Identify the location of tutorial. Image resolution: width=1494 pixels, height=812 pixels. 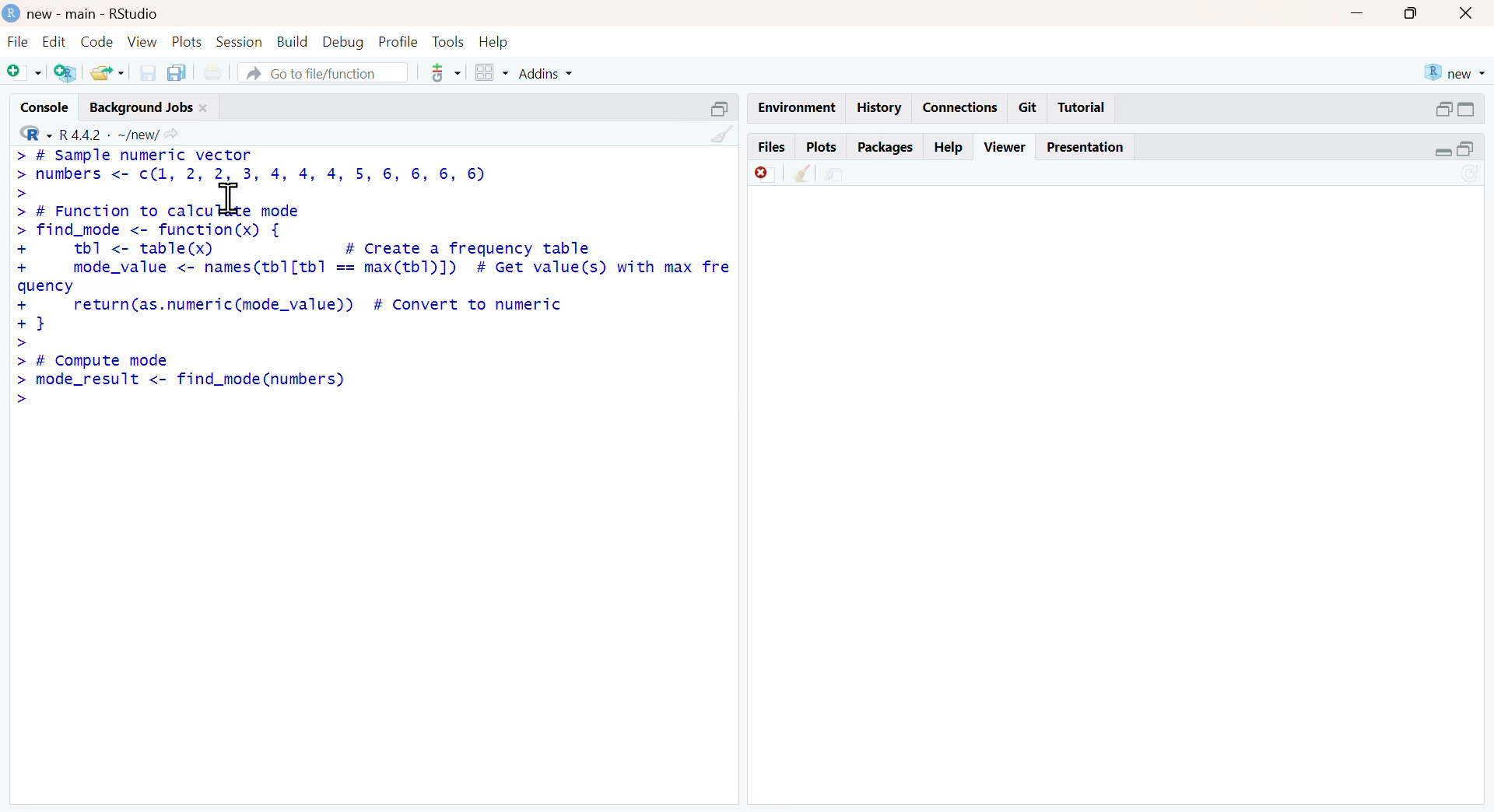
(1082, 108).